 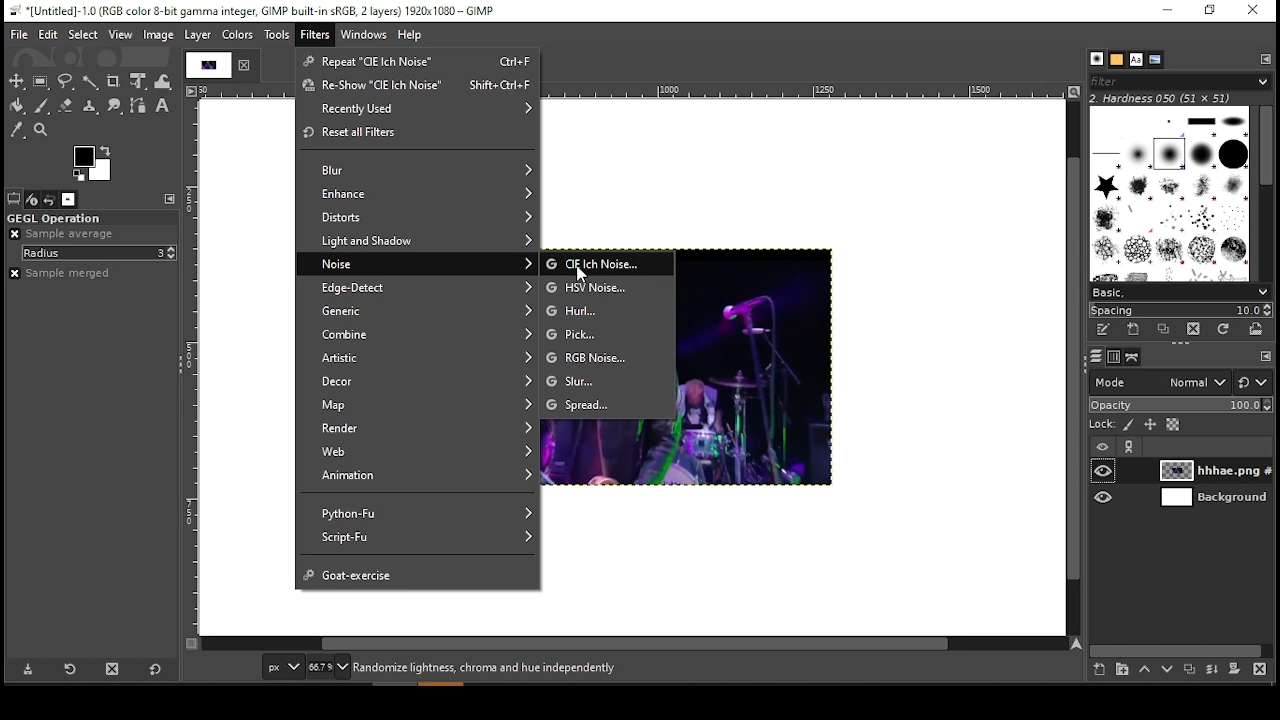 I want to click on edit, so click(x=49, y=34).